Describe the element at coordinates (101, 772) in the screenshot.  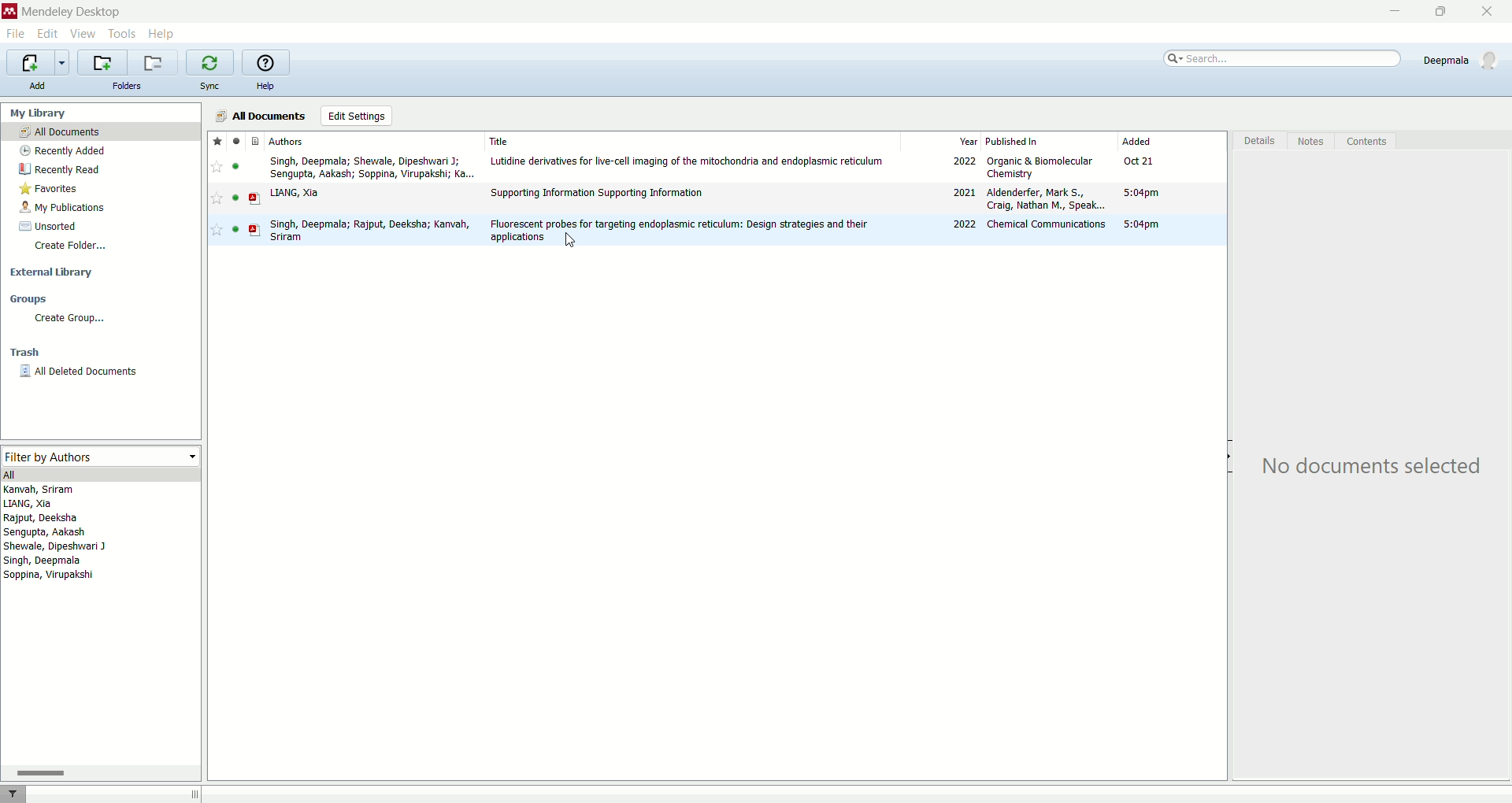
I see `Horizontal scroll bar` at that location.